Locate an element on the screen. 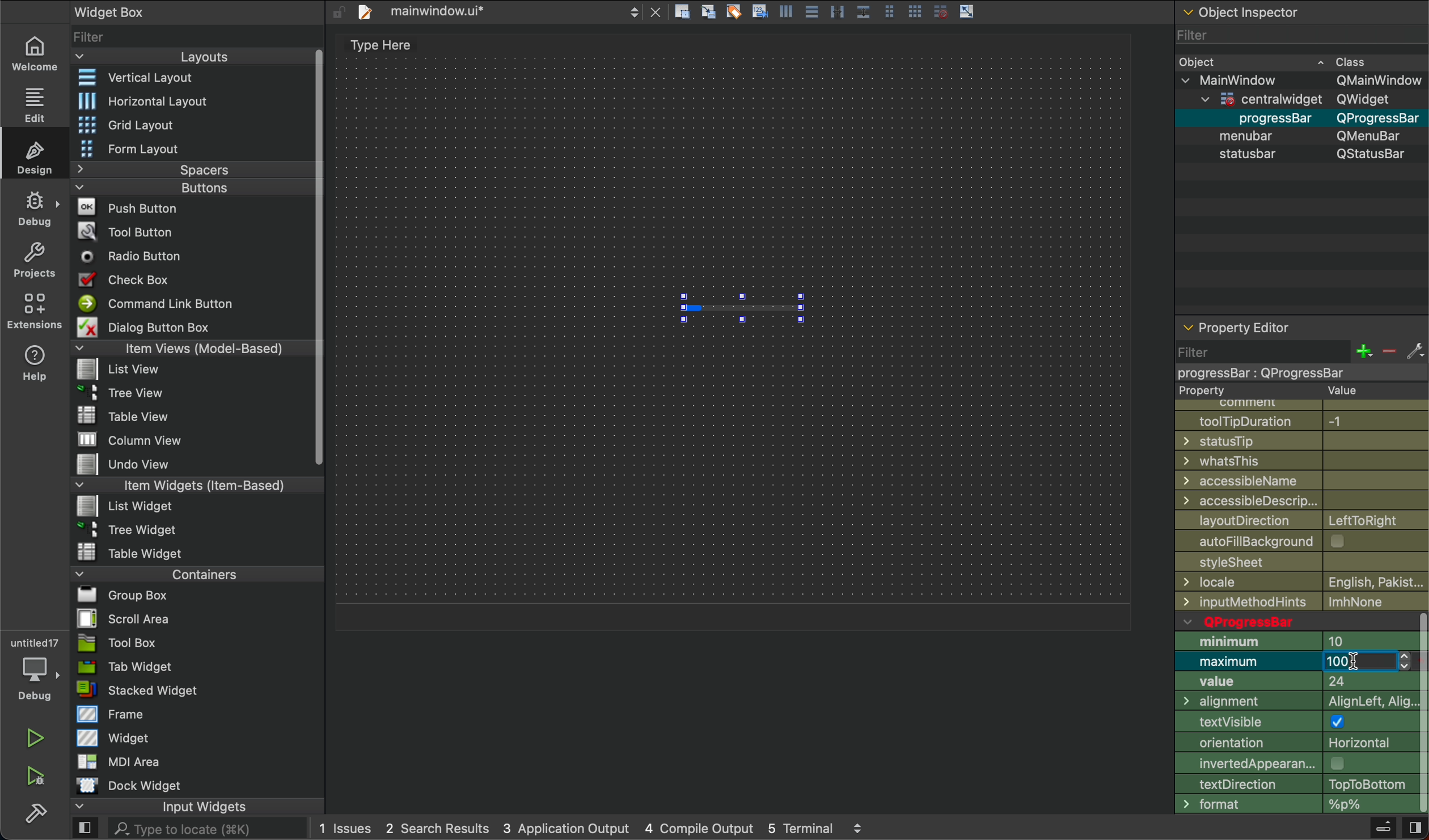 The width and height of the screenshot is (1429, 840). Comment is located at coordinates (1305, 402).